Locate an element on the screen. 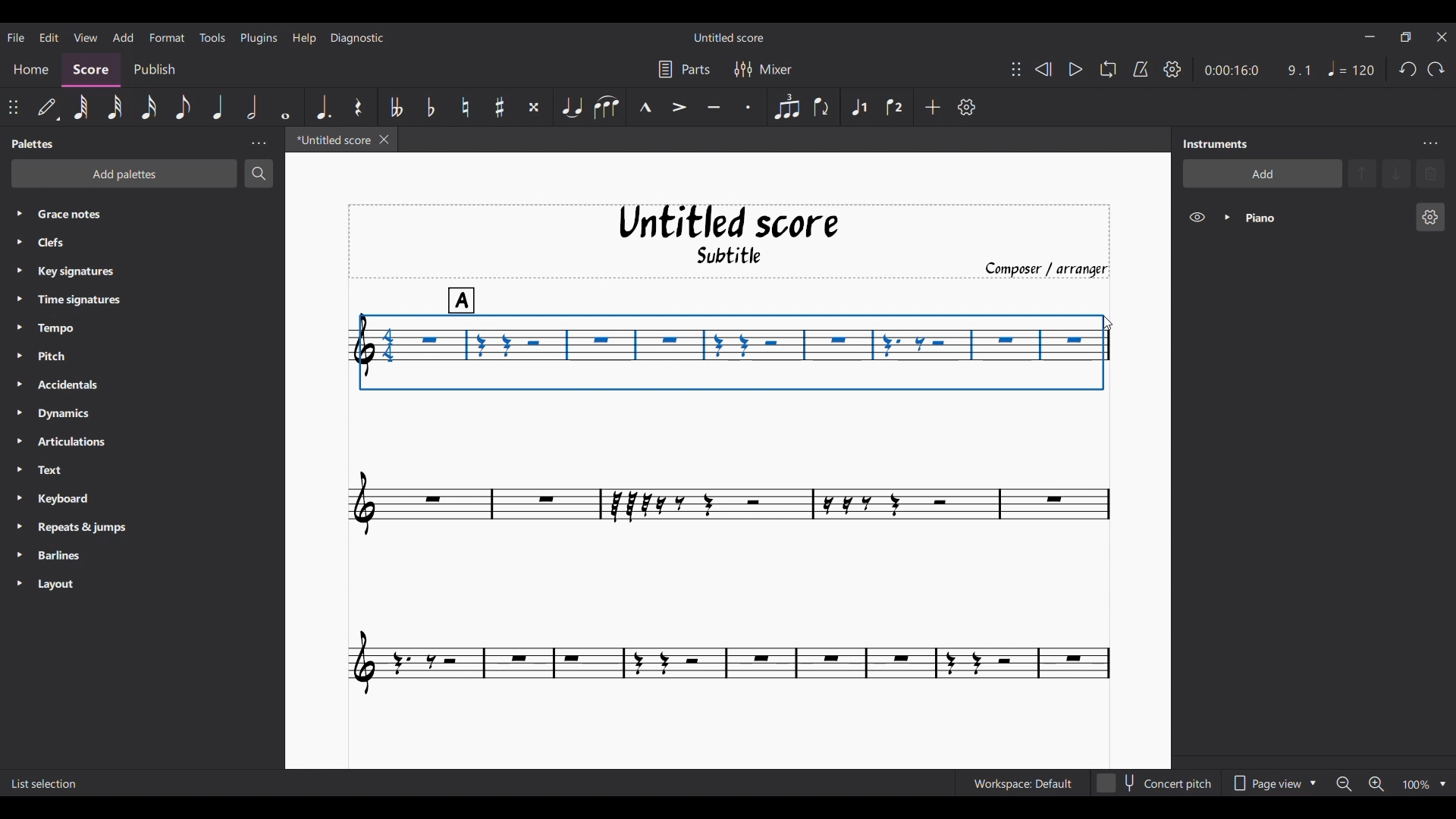 The width and height of the screenshot is (1456, 819). Zoom options is located at coordinates (1442, 784).